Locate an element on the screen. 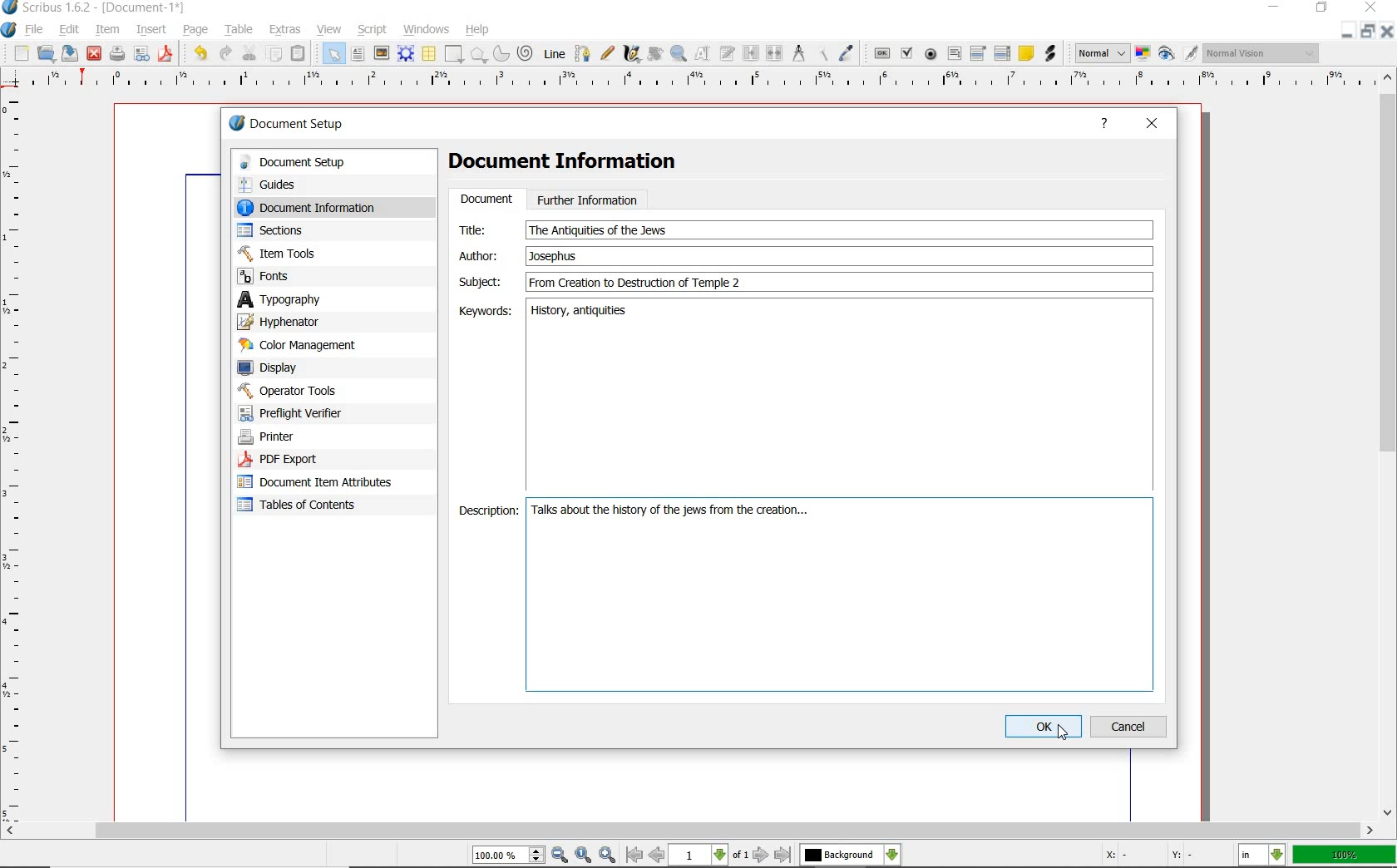 The width and height of the screenshot is (1397, 868). pdf push button is located at coordinates (881, 53).